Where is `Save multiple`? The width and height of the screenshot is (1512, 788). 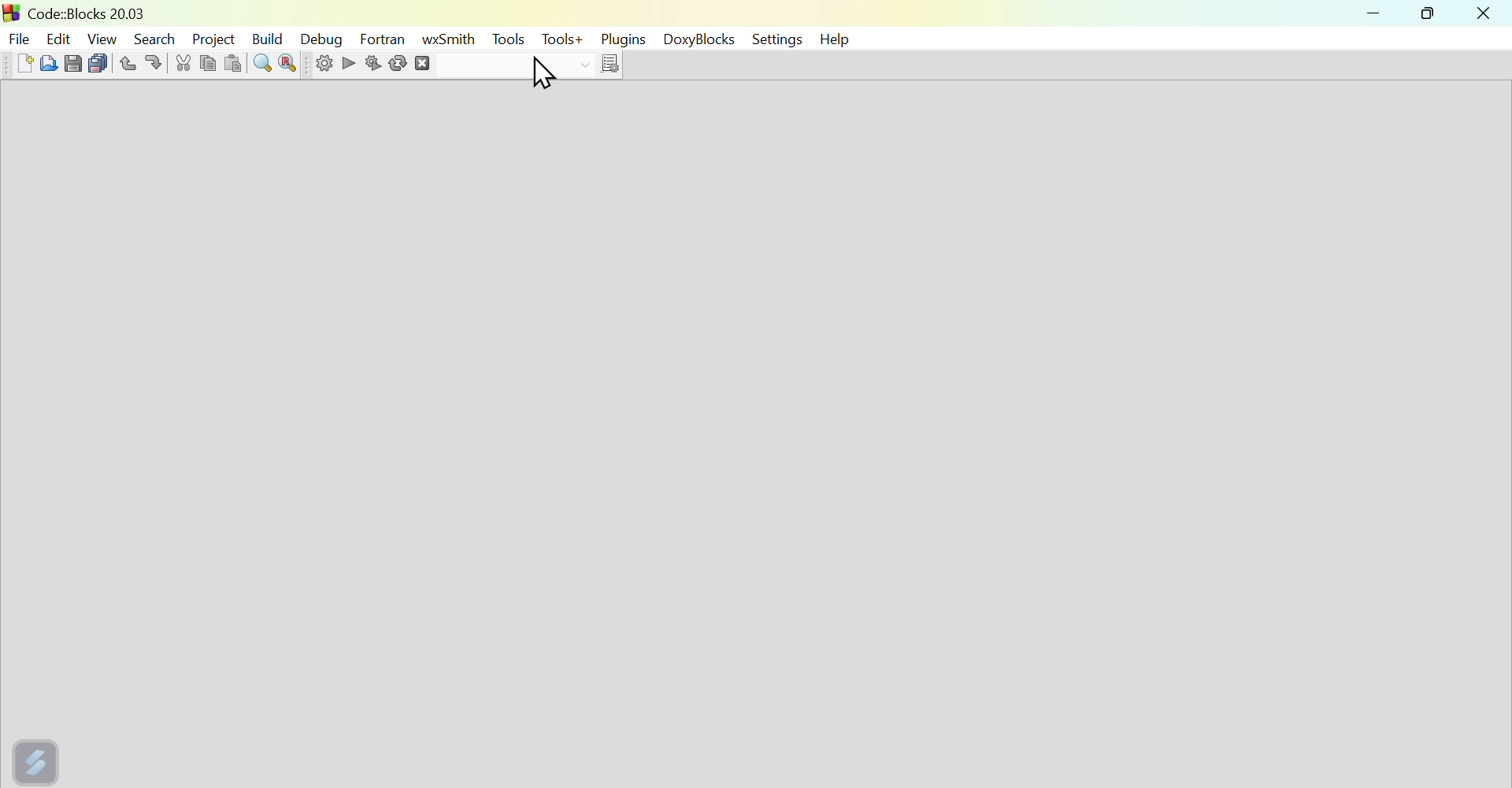
Save multiple is located at coordinates (98, 61).